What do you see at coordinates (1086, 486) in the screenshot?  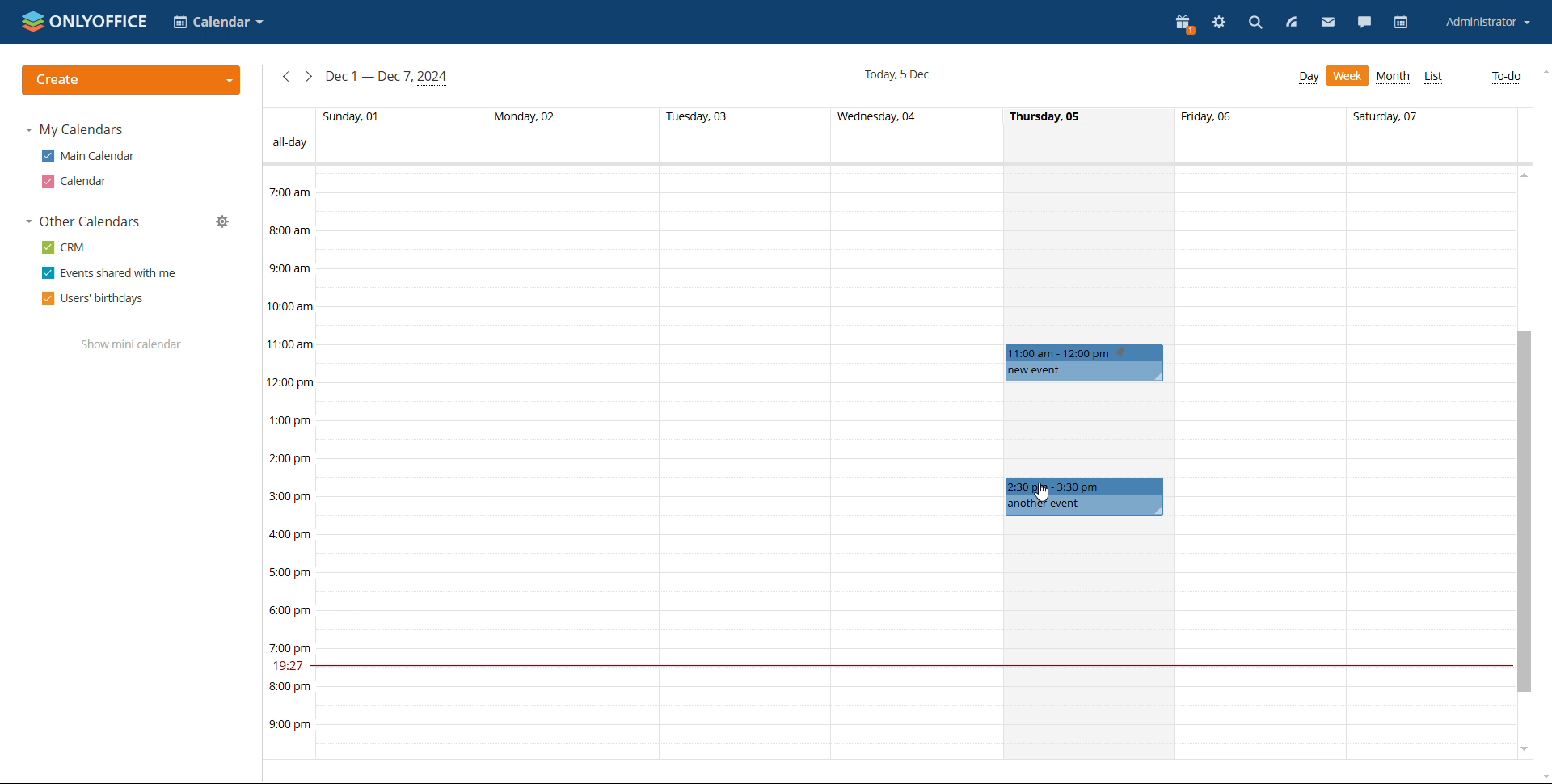 I see `2:30am to 3:30pm` at bounding box center [1086, 486].